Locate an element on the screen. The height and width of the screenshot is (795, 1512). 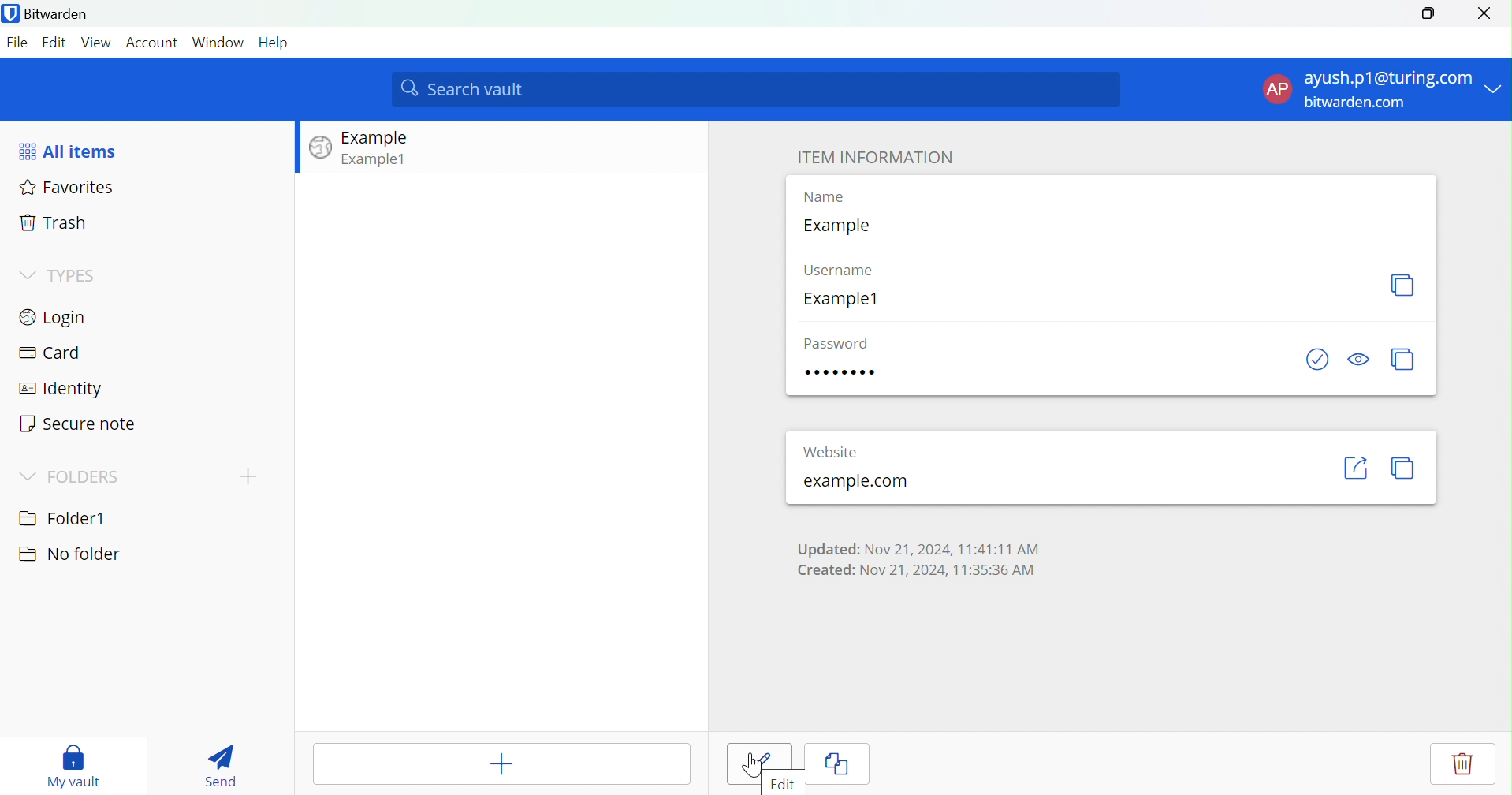
Example1 is located at coordinates (376, 159).